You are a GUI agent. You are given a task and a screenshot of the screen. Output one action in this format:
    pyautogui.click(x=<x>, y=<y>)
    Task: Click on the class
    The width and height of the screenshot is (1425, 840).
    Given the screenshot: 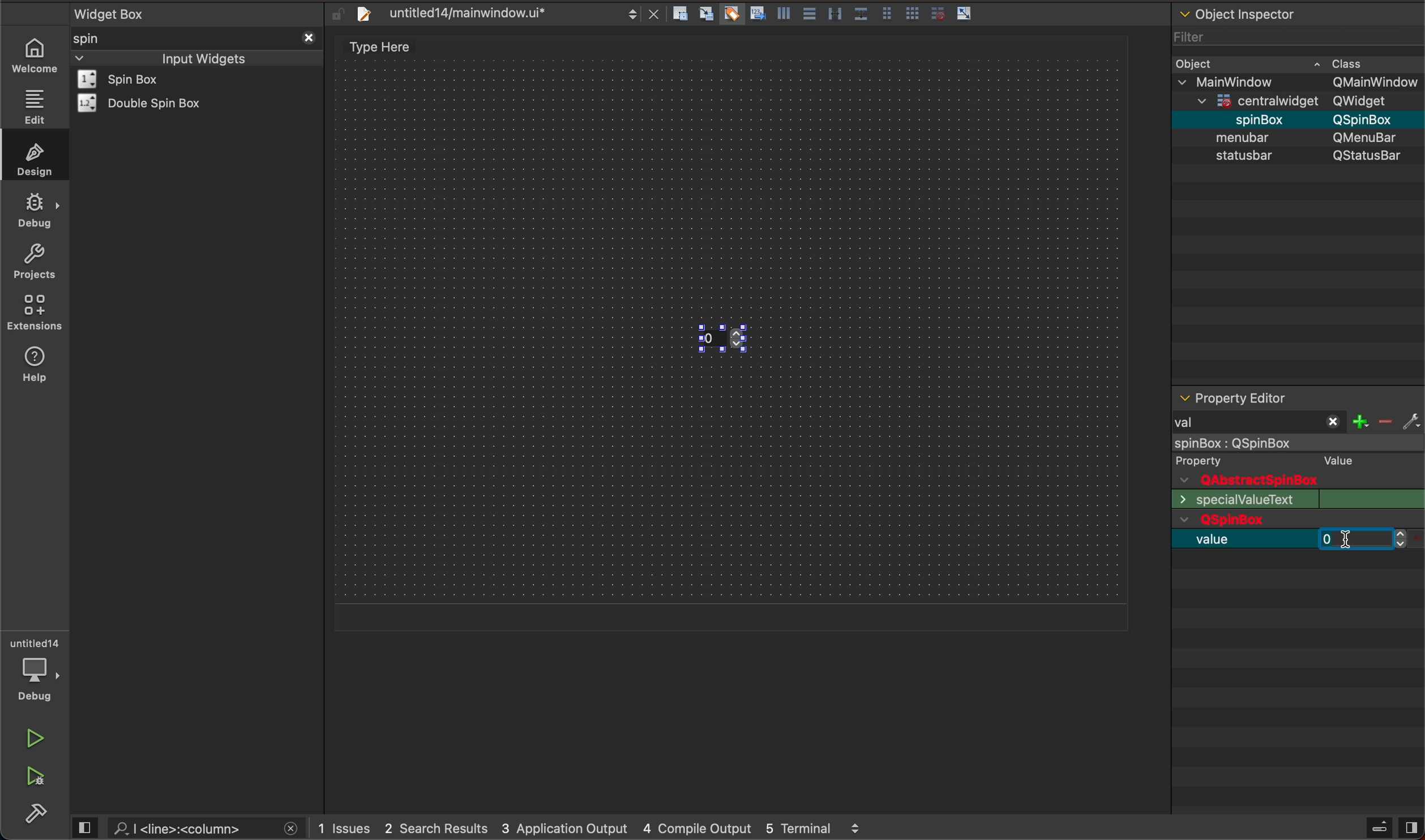 What is the action you would take?
    pyautogui.click(x=1349, y=62)
    